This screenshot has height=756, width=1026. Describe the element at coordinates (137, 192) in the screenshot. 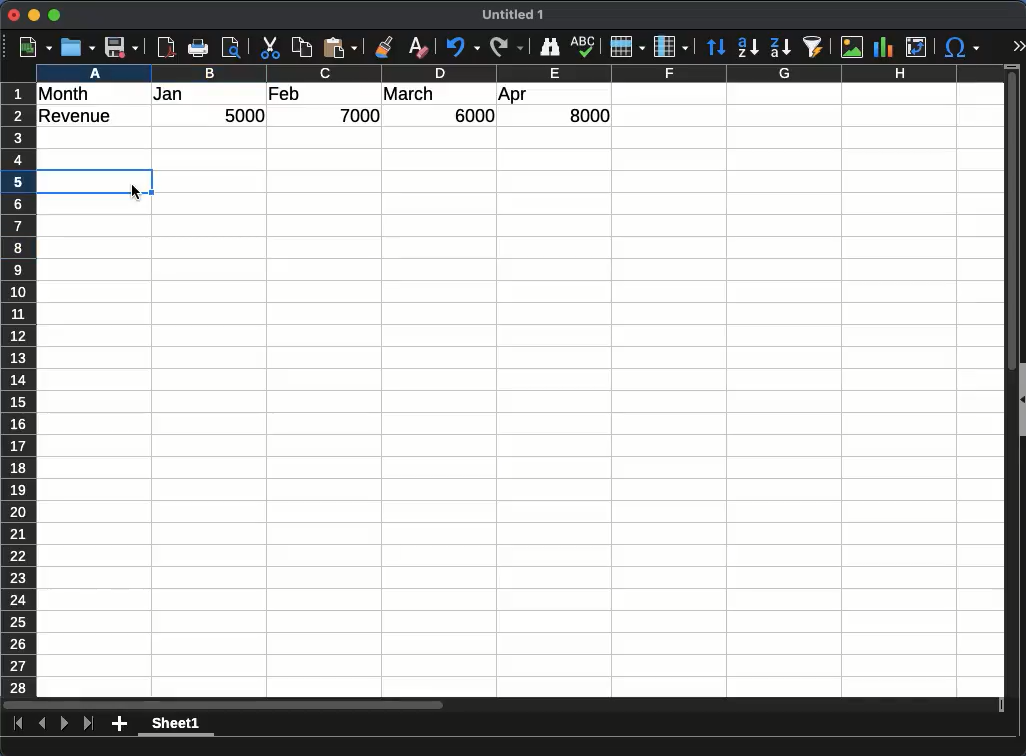

I see `cursor` at that location.